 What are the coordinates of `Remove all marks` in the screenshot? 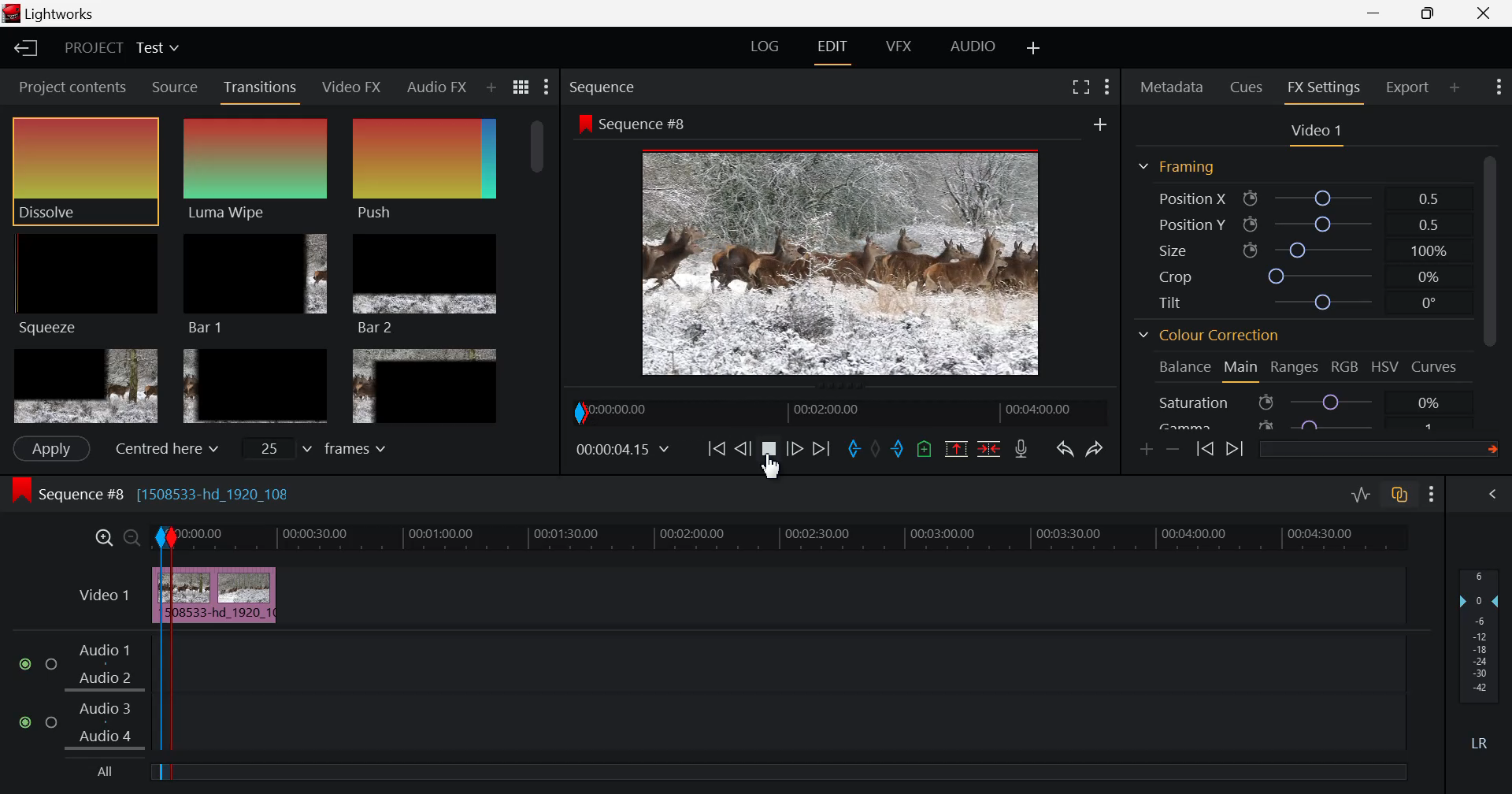 It's located at (875, 448).